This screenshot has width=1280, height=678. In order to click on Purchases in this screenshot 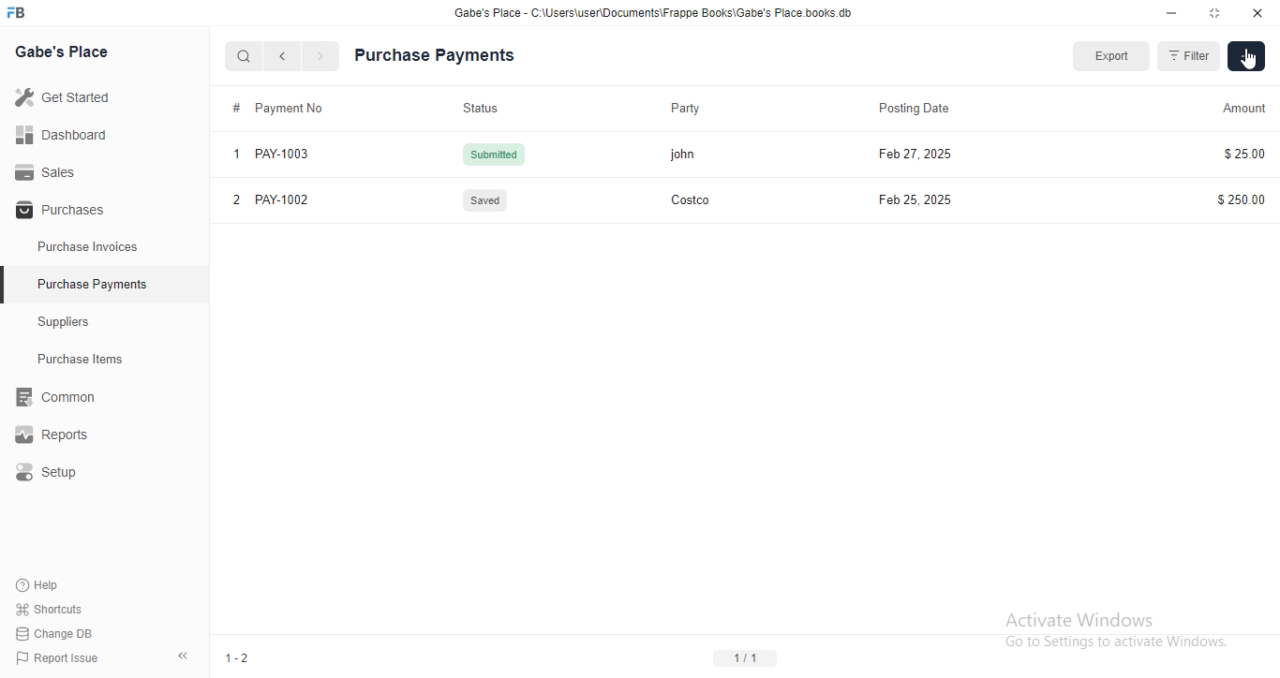, I will do `click(57, 211)`.